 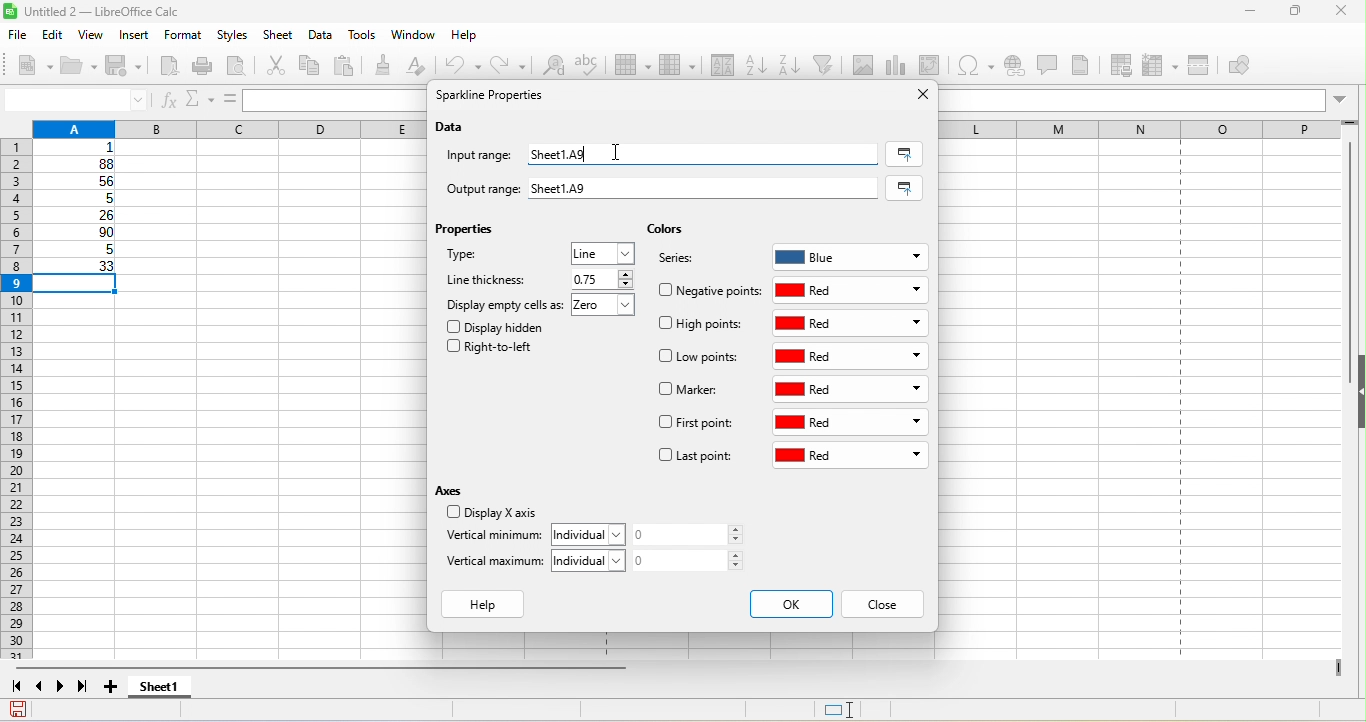 What do you see at coordinates (322, 36) in the screenshot?
I see `data` at bounding box center [322, 36].